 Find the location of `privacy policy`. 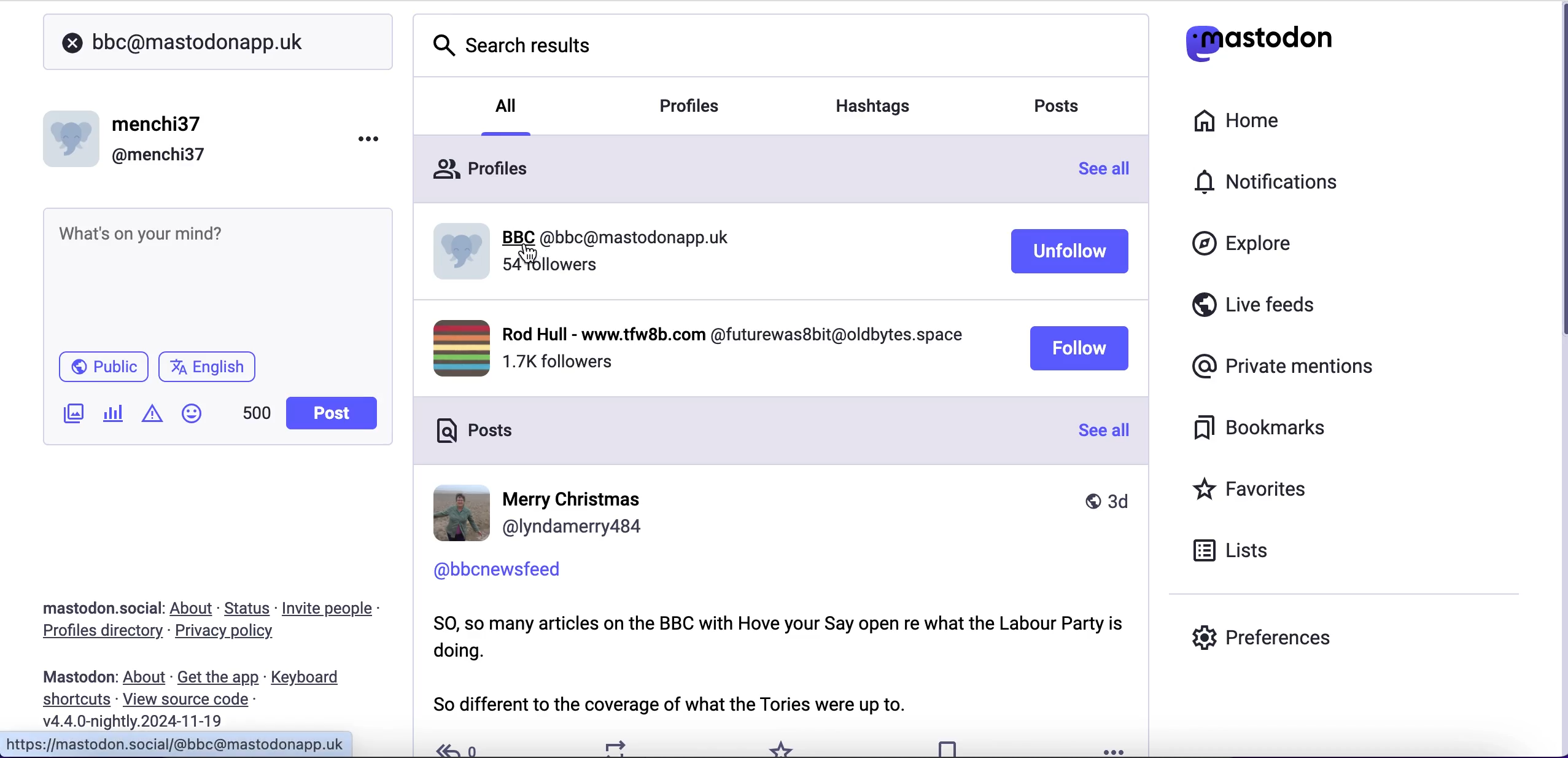

privacy policy is located at coordinates (235, 633).